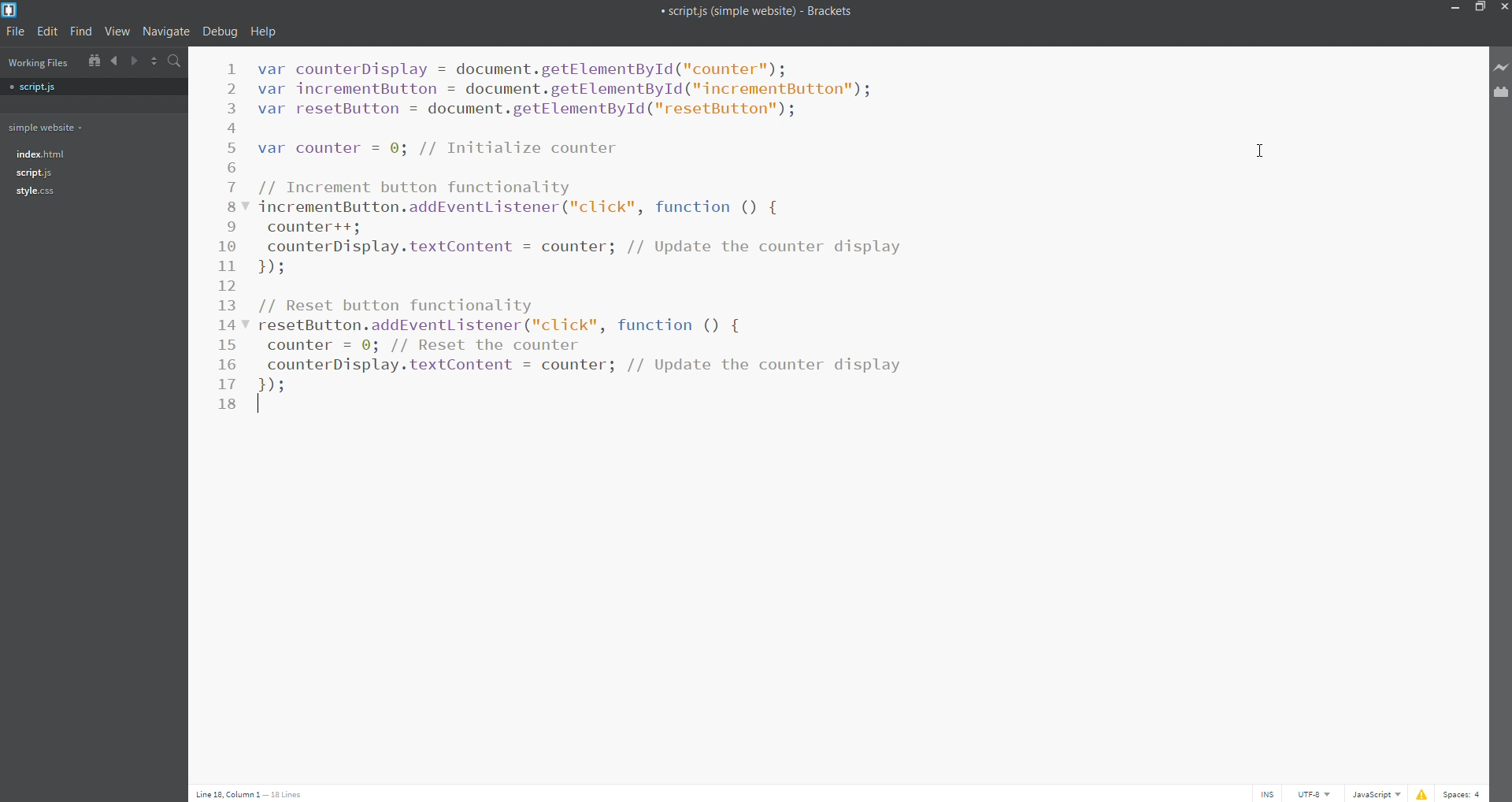  What do you see at coordinates (46, 154) in the screenshot?
I see `index.html` at bounding box center [46, 154].